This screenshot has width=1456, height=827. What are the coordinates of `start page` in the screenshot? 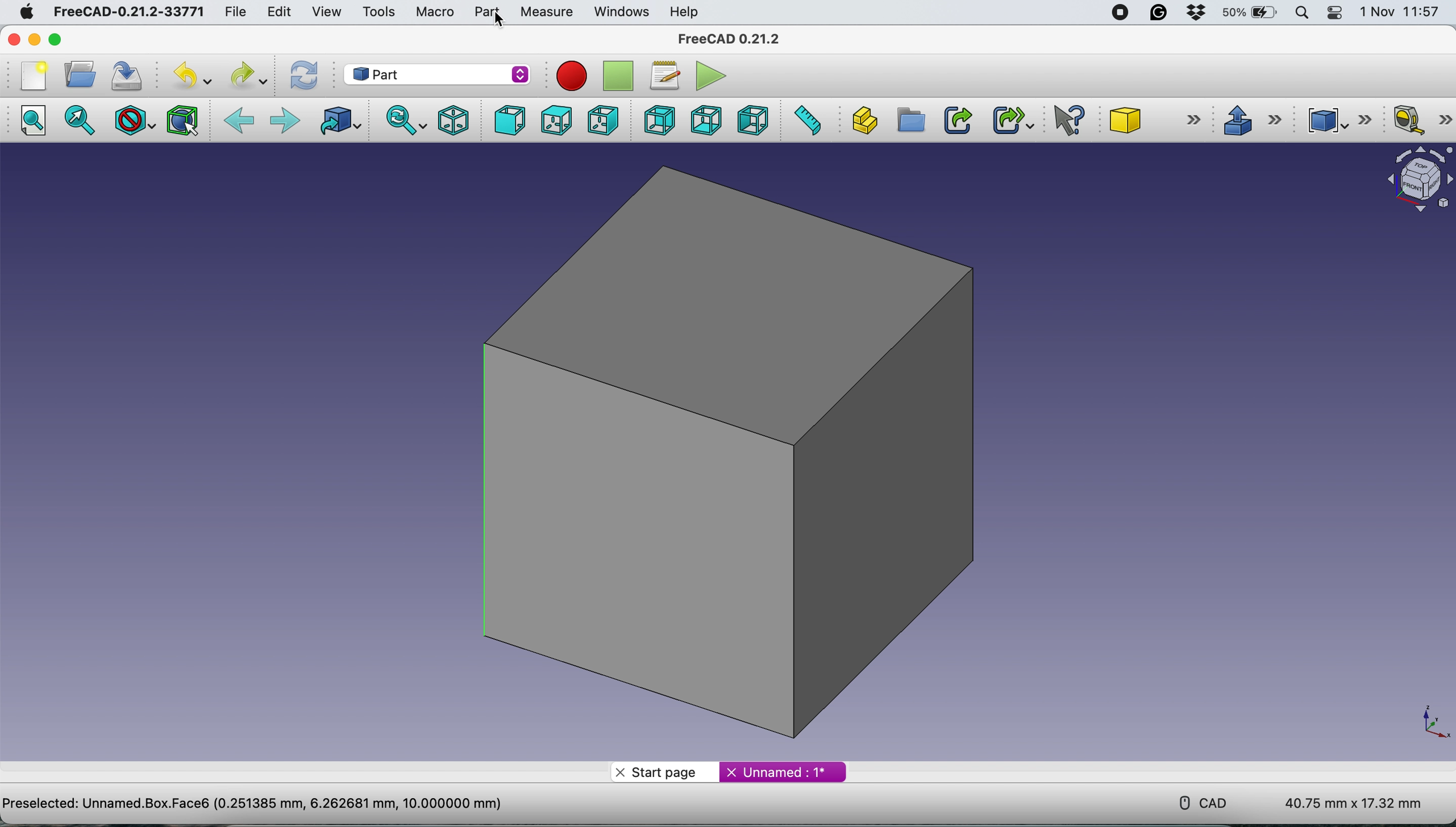 It's located at (664, 771).